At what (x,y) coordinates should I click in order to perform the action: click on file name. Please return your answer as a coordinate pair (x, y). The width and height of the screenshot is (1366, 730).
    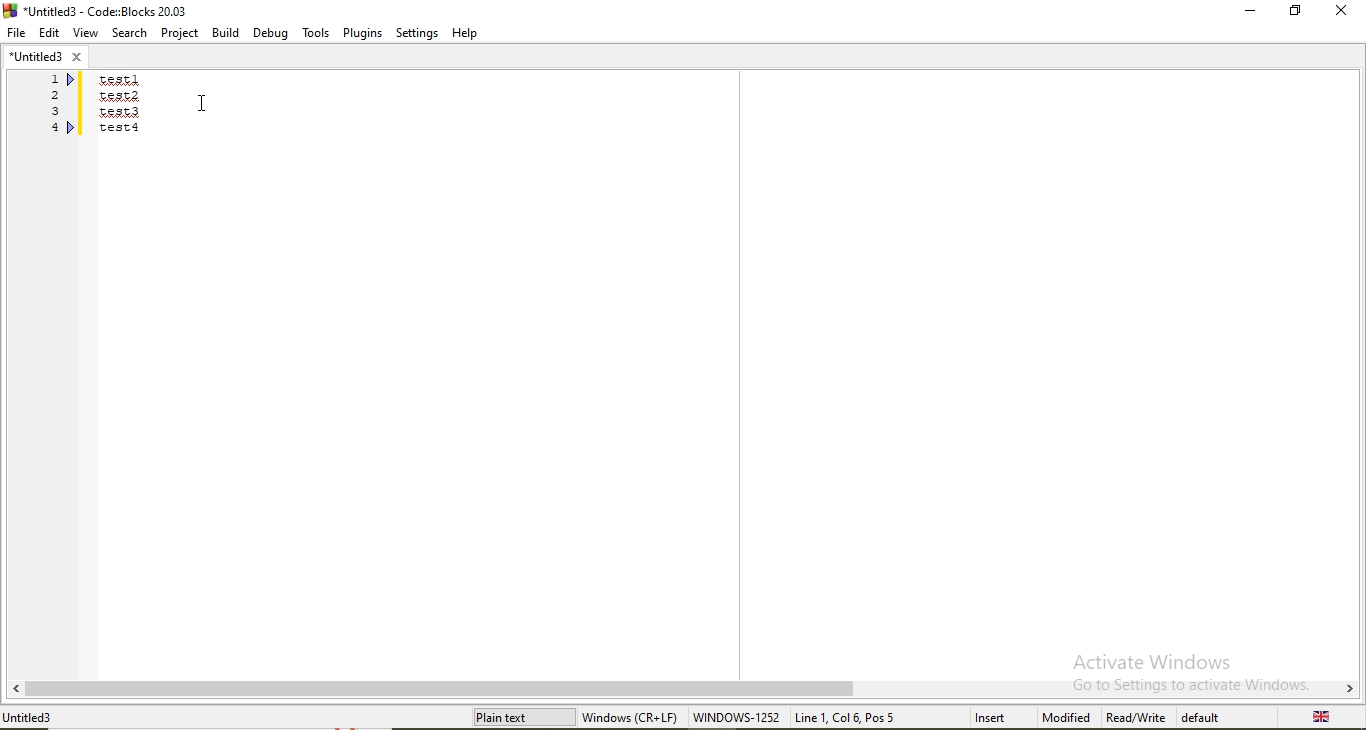
    Looking at the image, I should click on (38, 717).